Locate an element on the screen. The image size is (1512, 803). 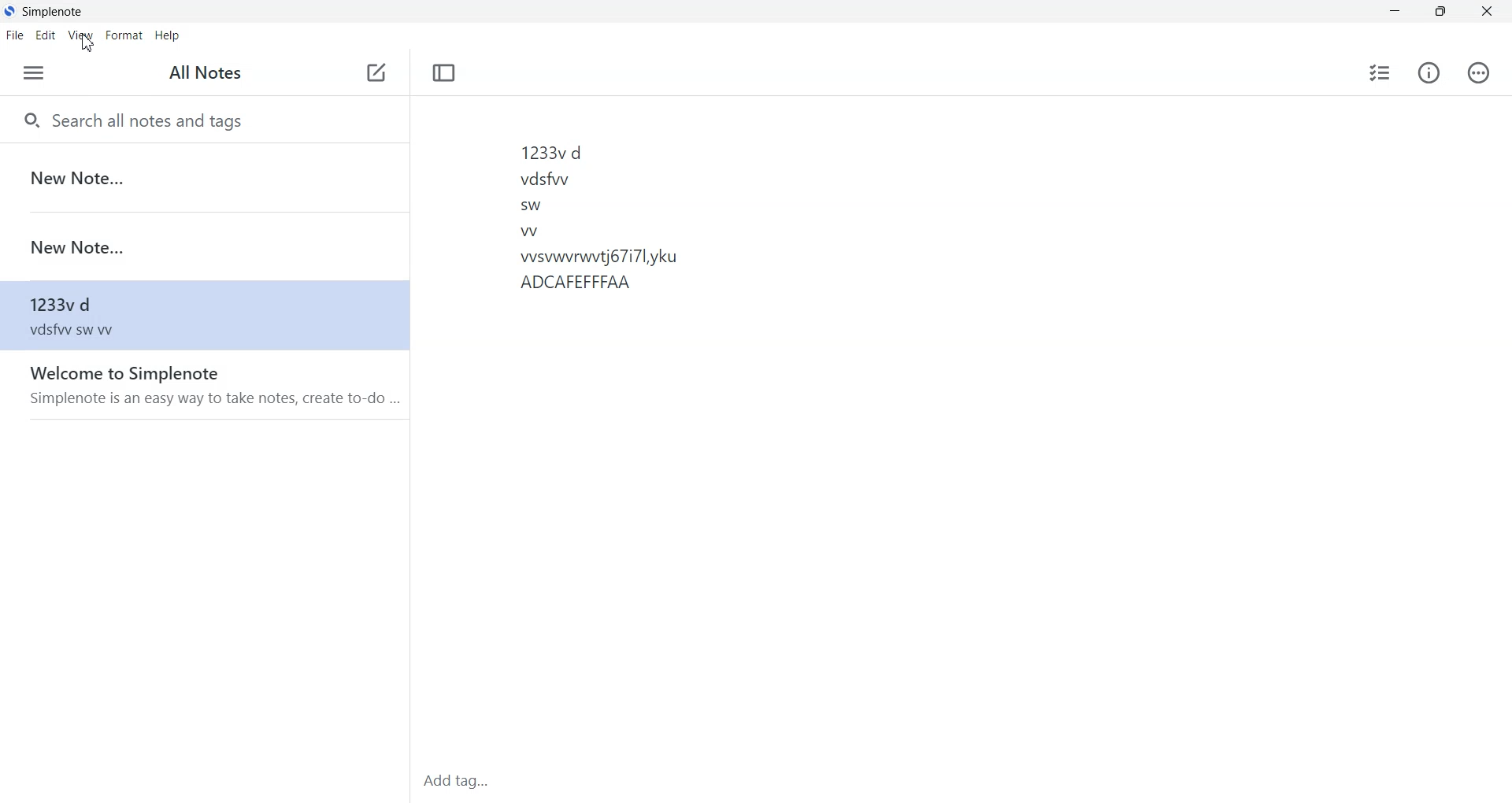
Maximize is located at coordinates (1440, 12).